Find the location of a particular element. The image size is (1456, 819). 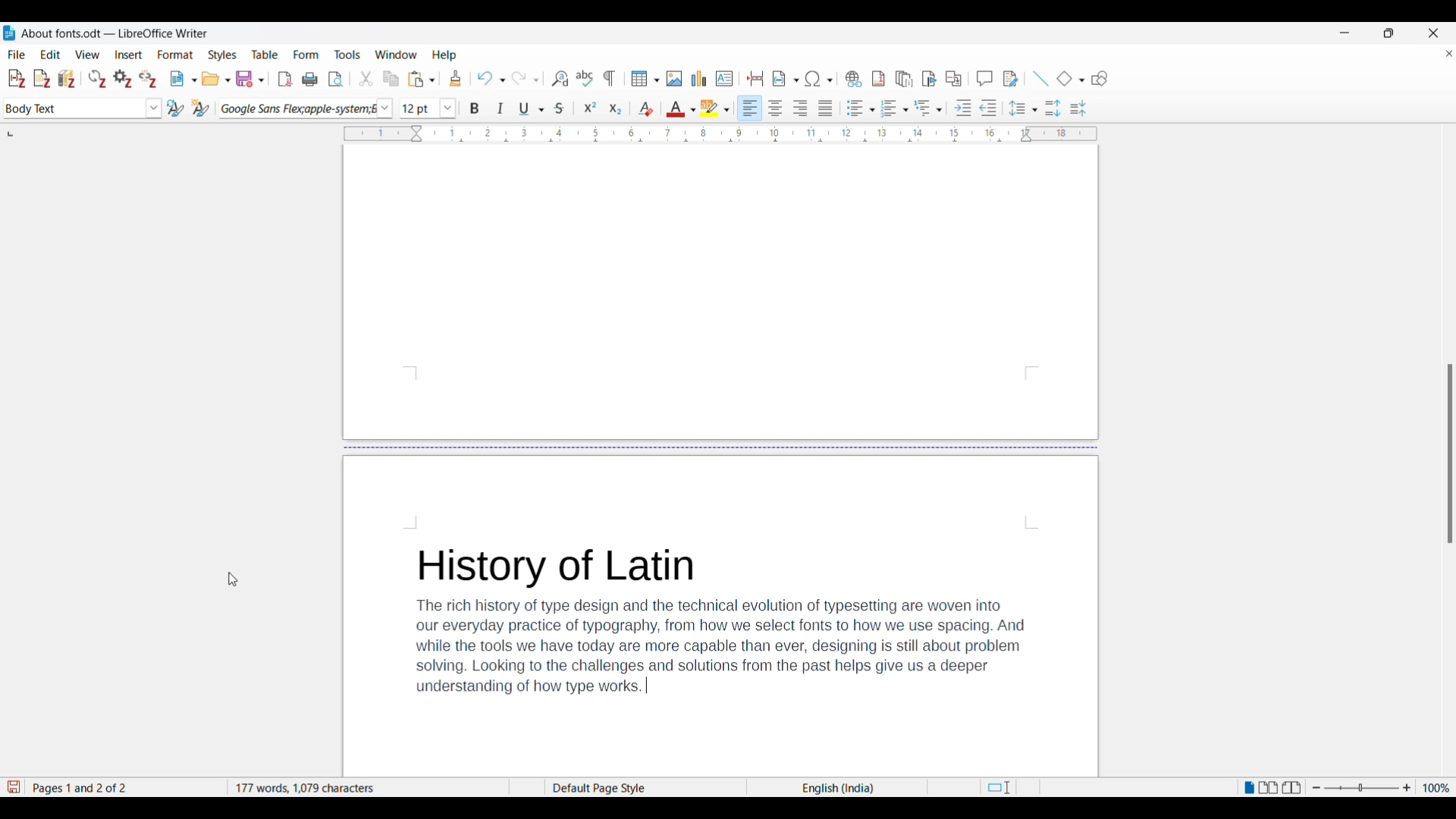

Show interface in a smaller tab is located at coordinates (1389, 33).